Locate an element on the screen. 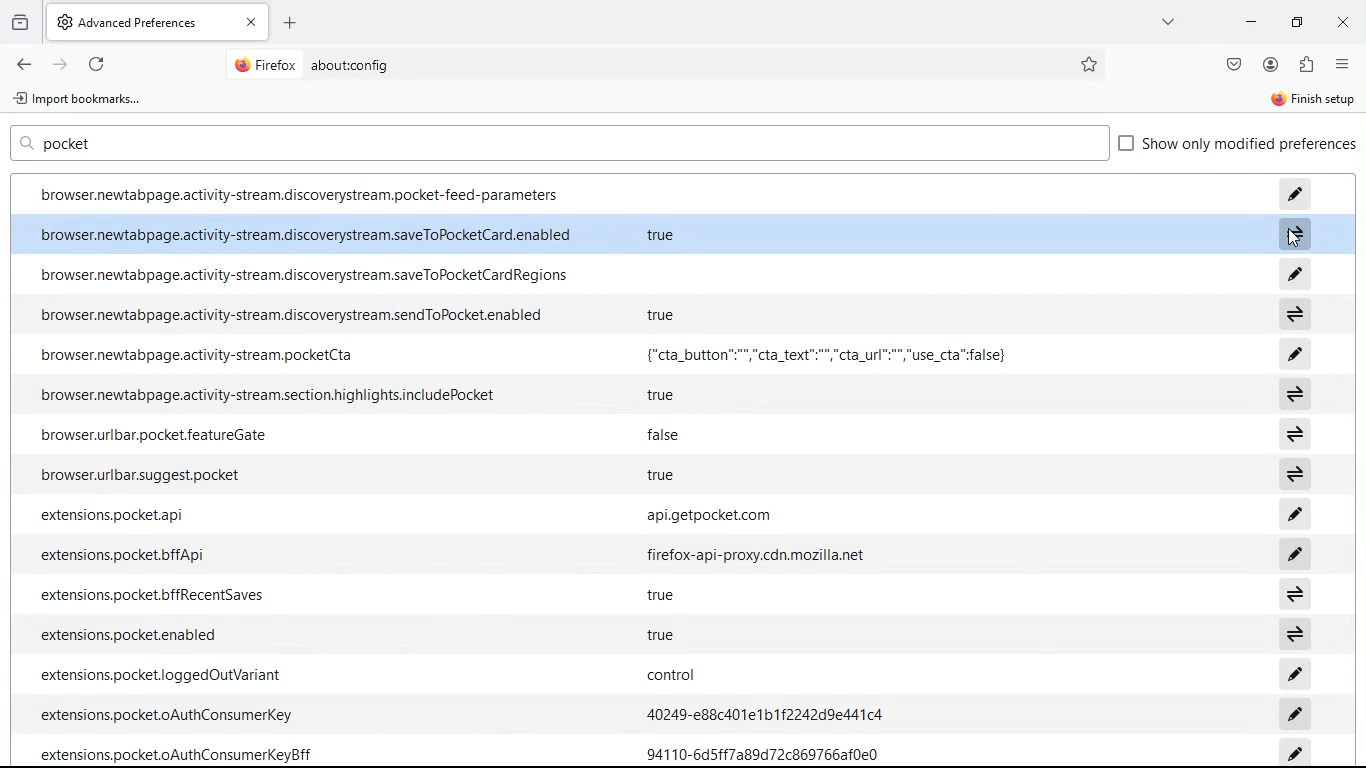  extensions.pocket.oAuthConsumerKeyBff is located at coordinates (177, 753).